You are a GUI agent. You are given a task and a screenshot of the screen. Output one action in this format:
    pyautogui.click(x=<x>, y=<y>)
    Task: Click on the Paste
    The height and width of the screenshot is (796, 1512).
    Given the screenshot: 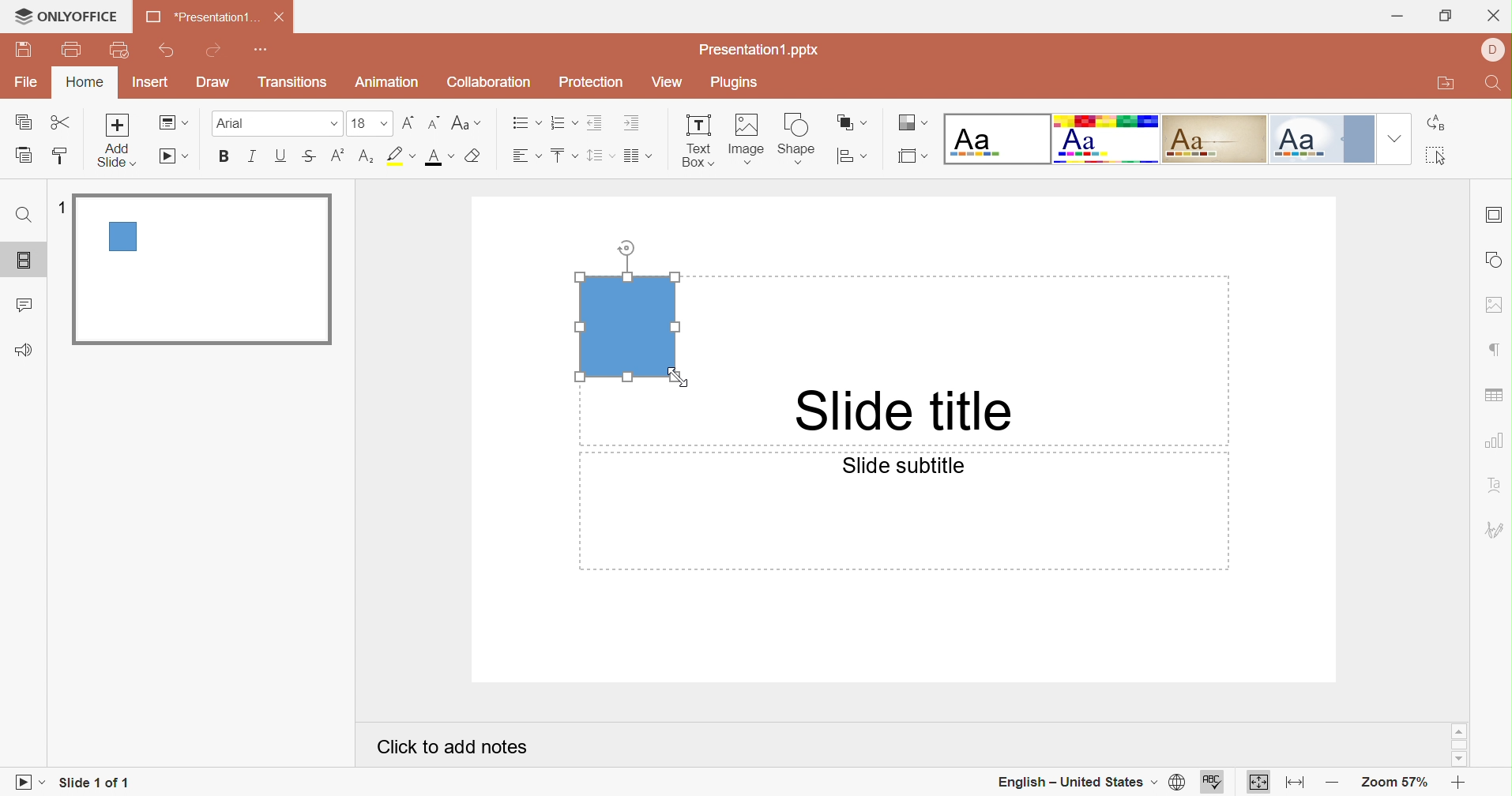 What is the action you would take?
    pyautogui.click(x=24, y=155)
    